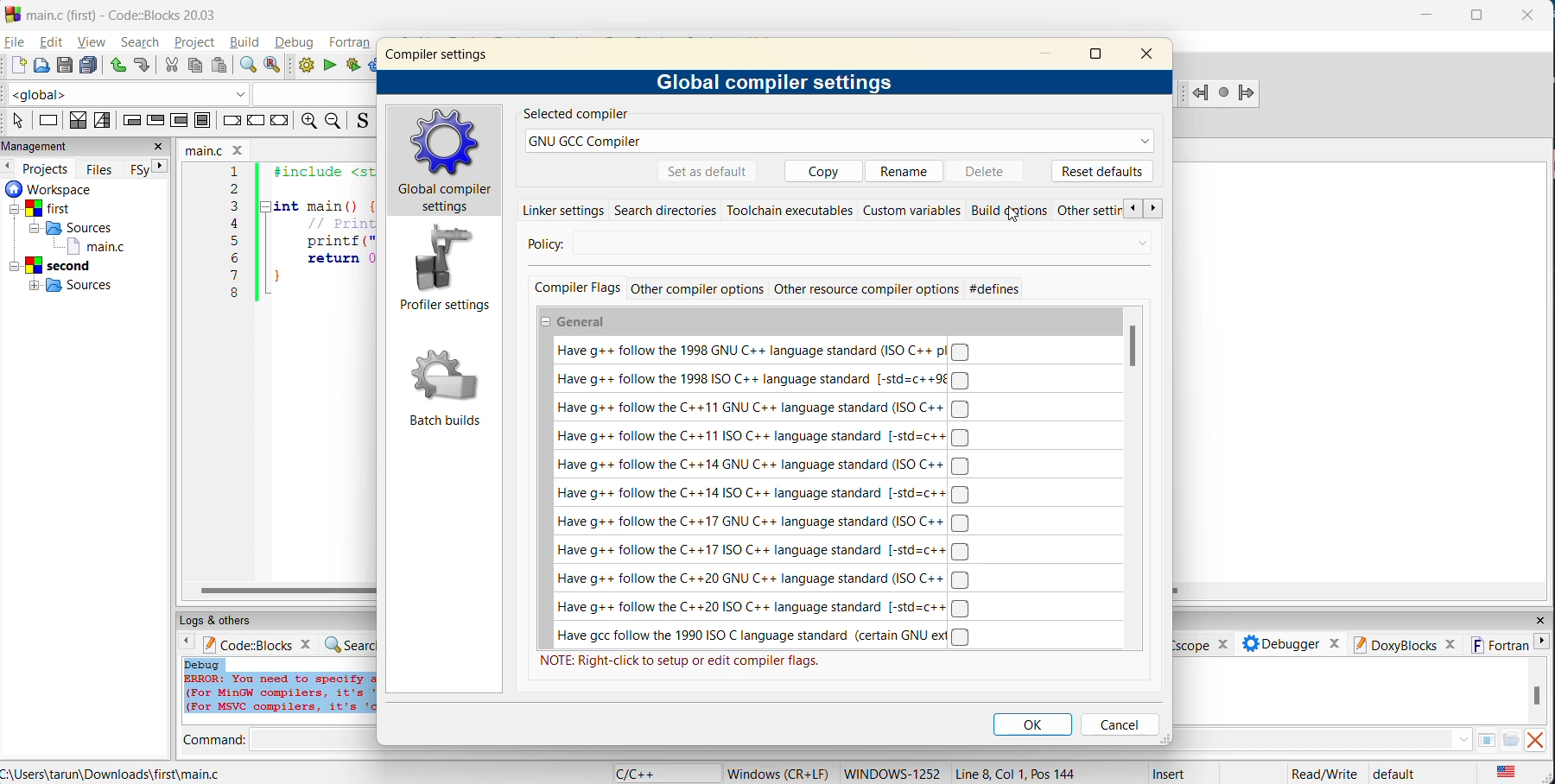 The height and width of the screenshot is (784, 1555). Describe the element at coordinates (352, 42) in the screenshot. I see `fortran` at that location.